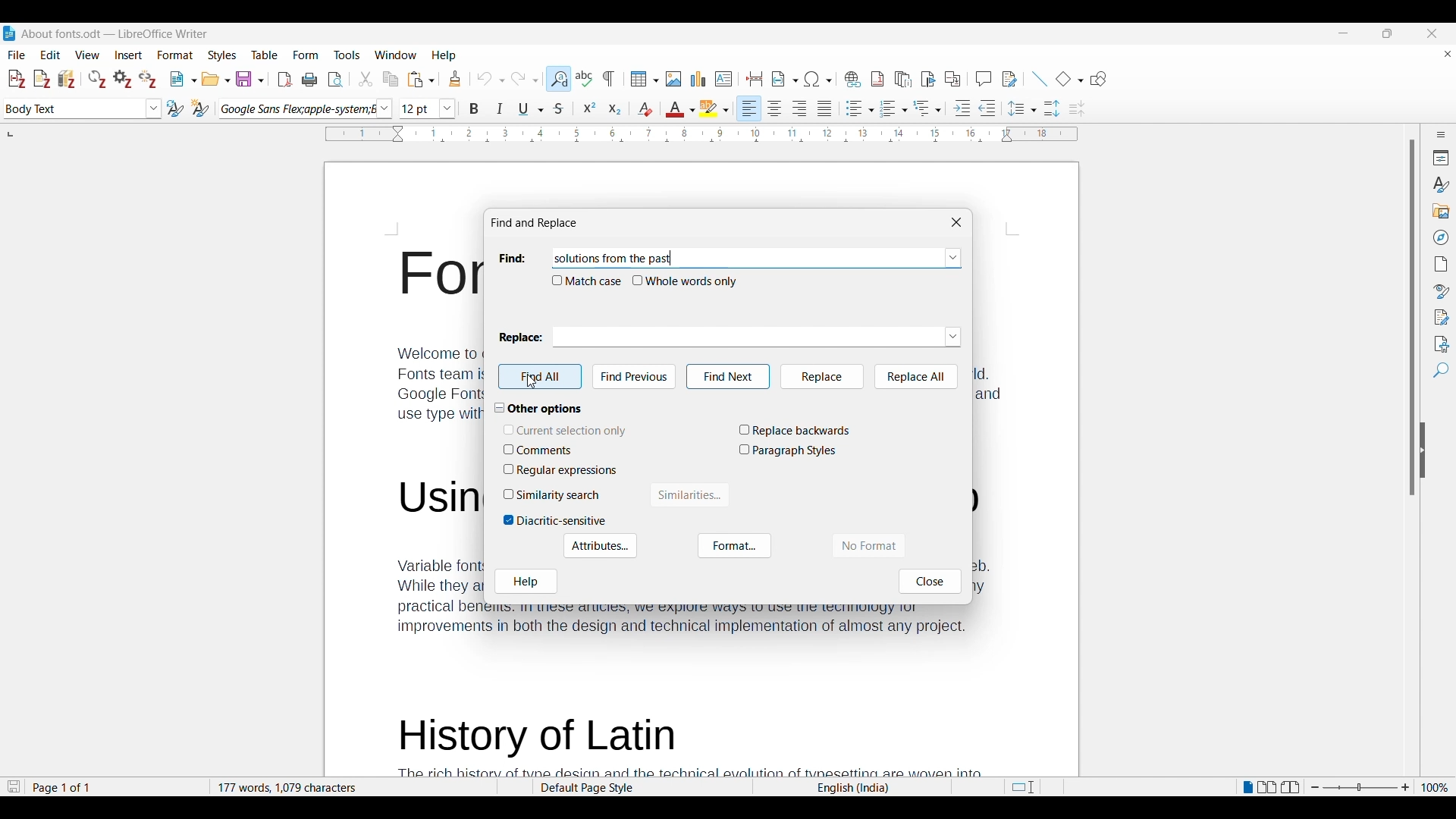 This screenshot has height=819, width=1456. I want to click on Text size options, so click(447, 109).